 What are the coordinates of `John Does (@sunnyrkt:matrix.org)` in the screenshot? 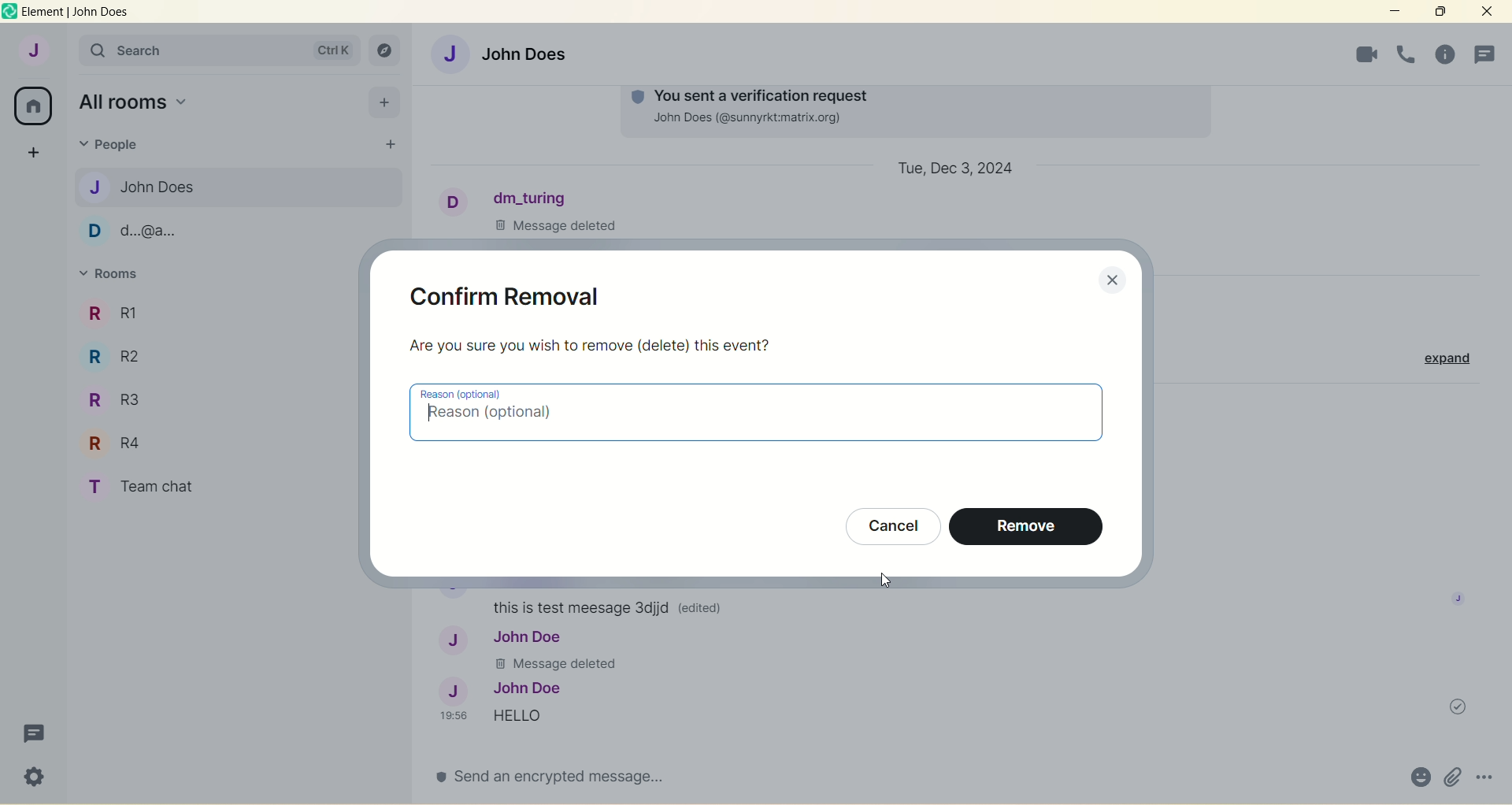 It's located at (756, 120).